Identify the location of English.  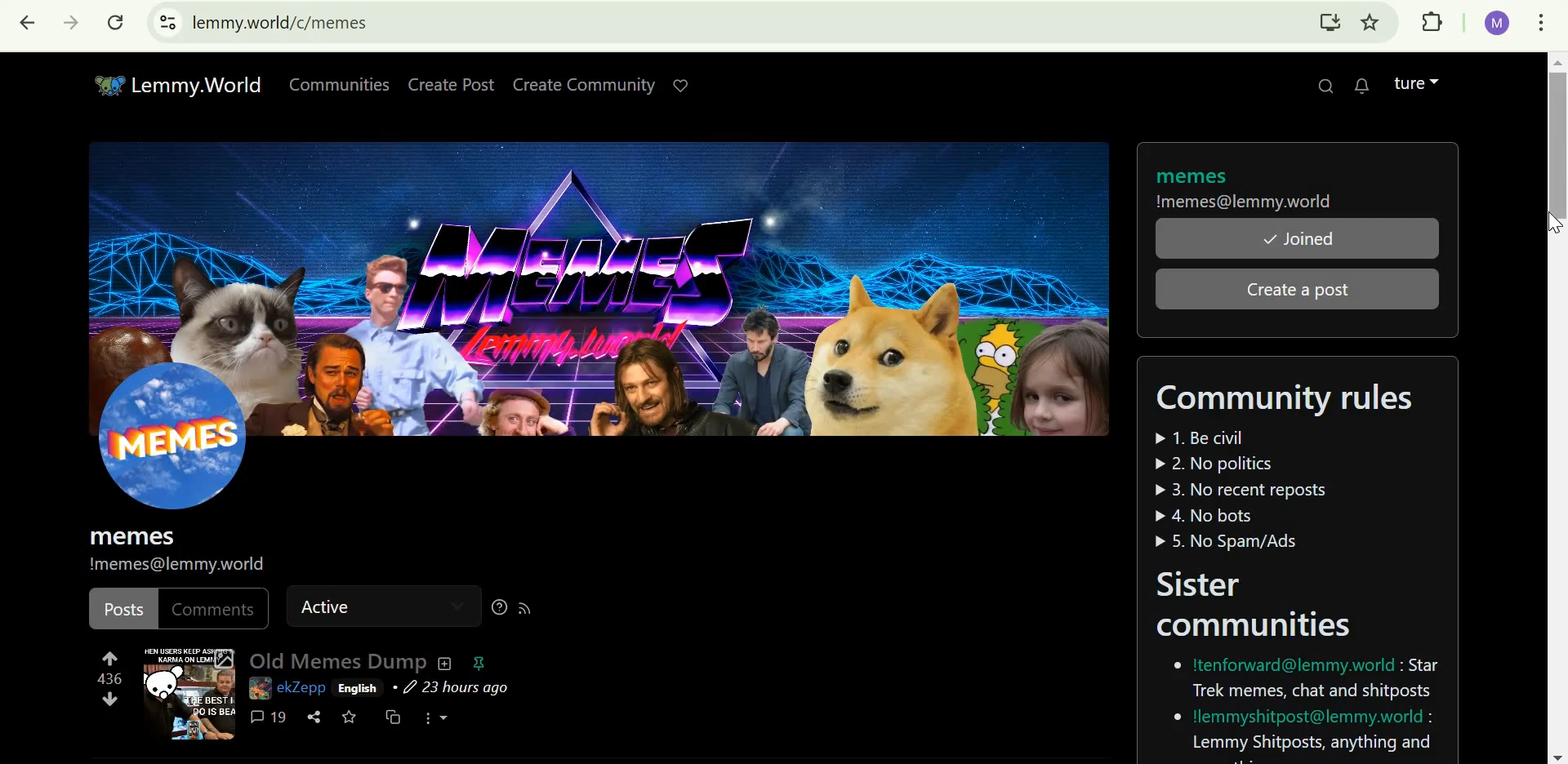
(359, 689).